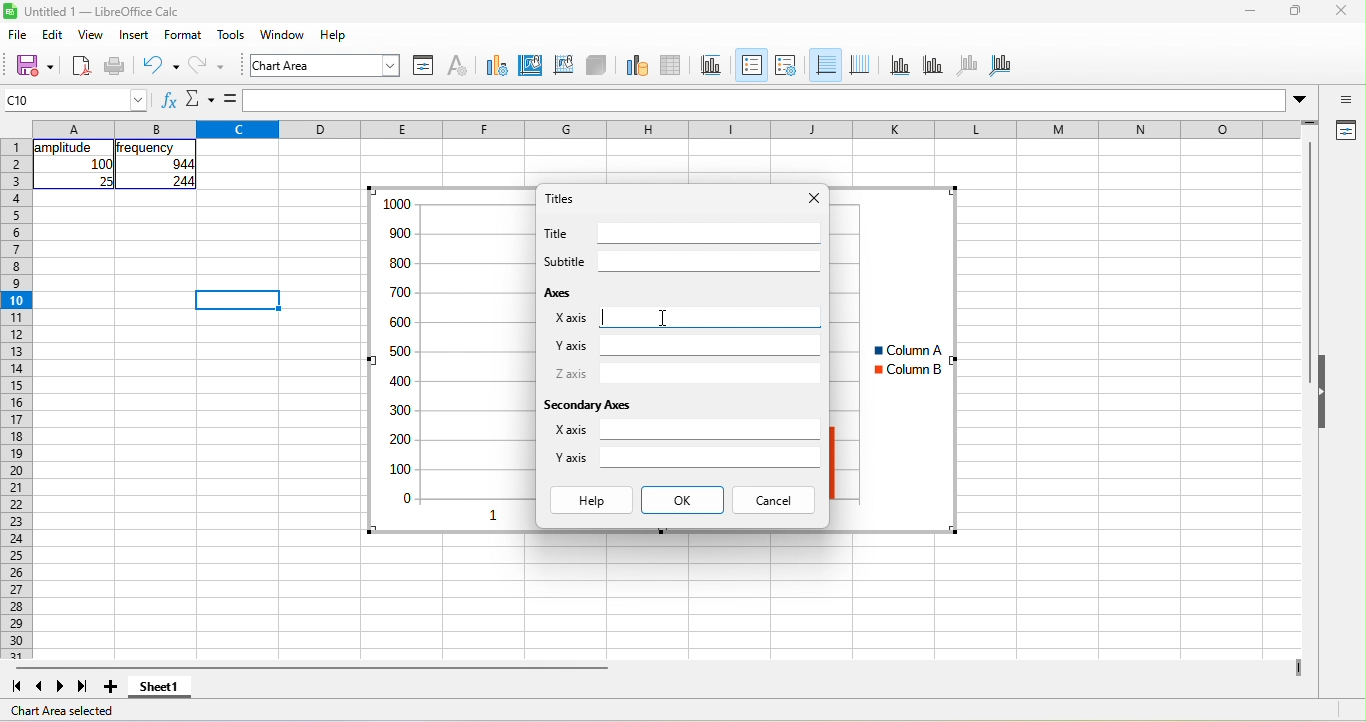 This screenshot has width=1366, height=722. What do you see at coordinates (563, 66) in the screenshot?
I see `chart wall` at bounding box center [563, 66].